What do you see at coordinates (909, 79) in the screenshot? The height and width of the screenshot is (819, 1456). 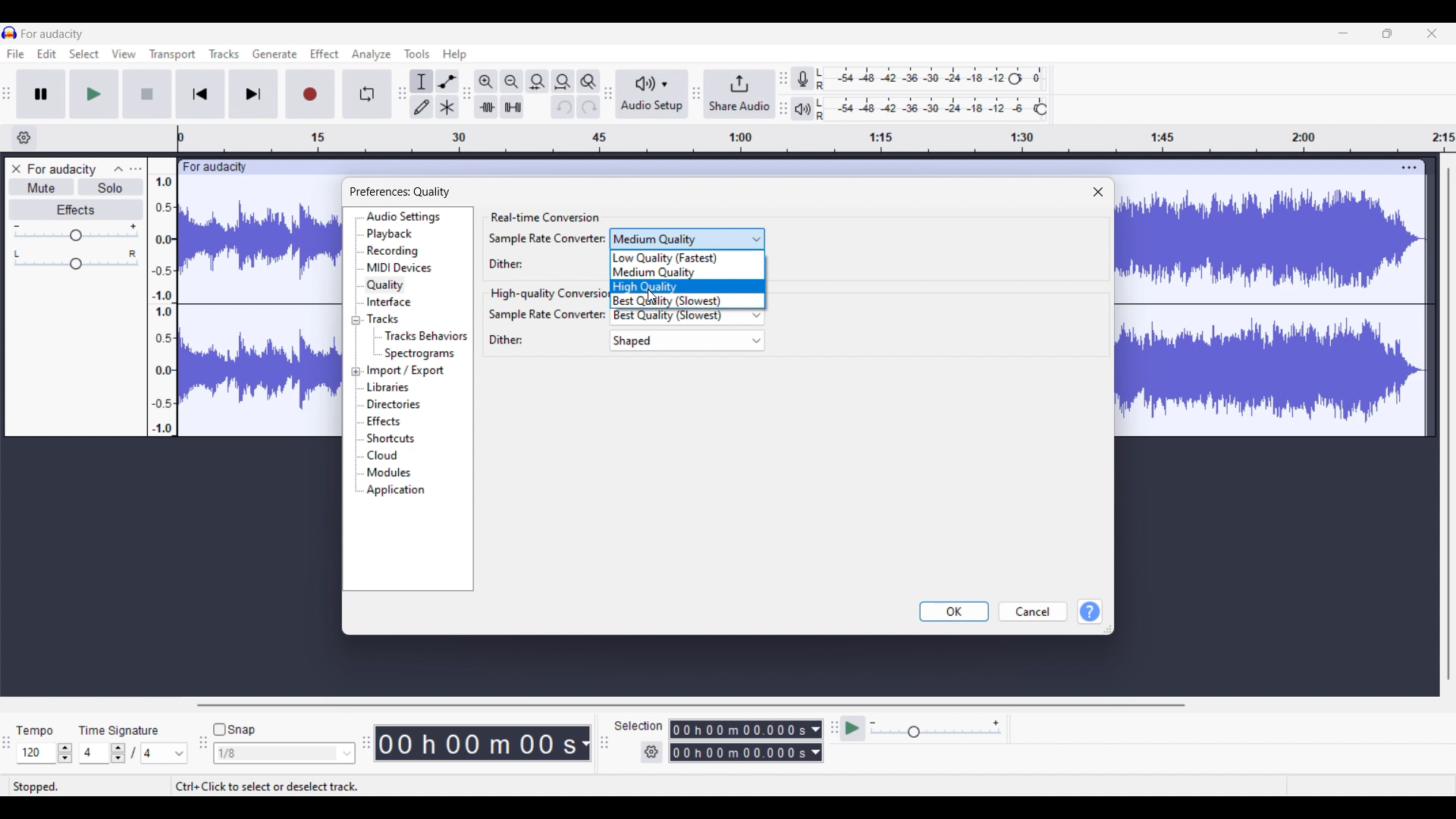 I see `Recording level` at bounding box center [909, 79].